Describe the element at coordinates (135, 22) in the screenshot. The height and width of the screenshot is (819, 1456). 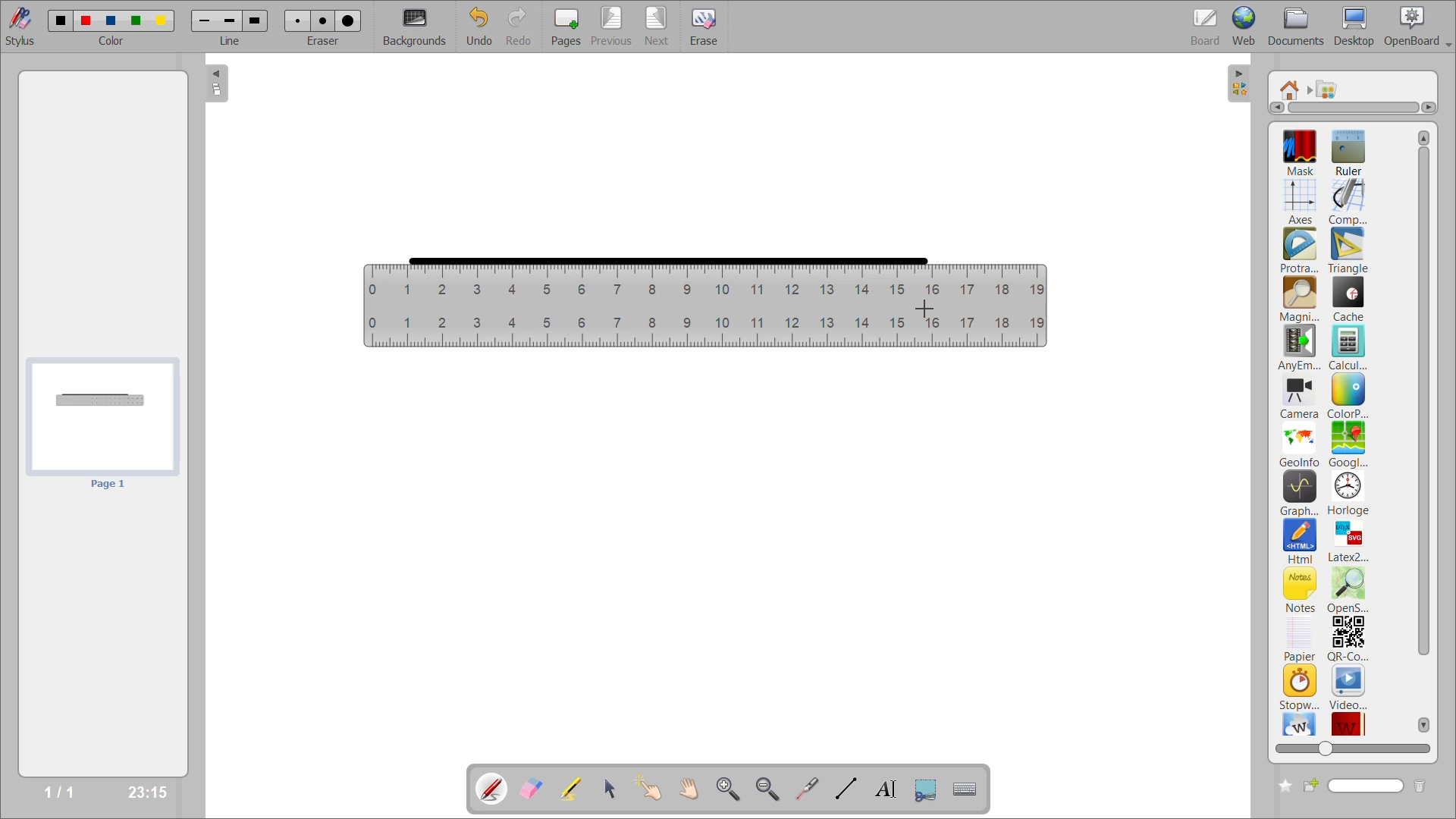
I see `color 4` at that location.